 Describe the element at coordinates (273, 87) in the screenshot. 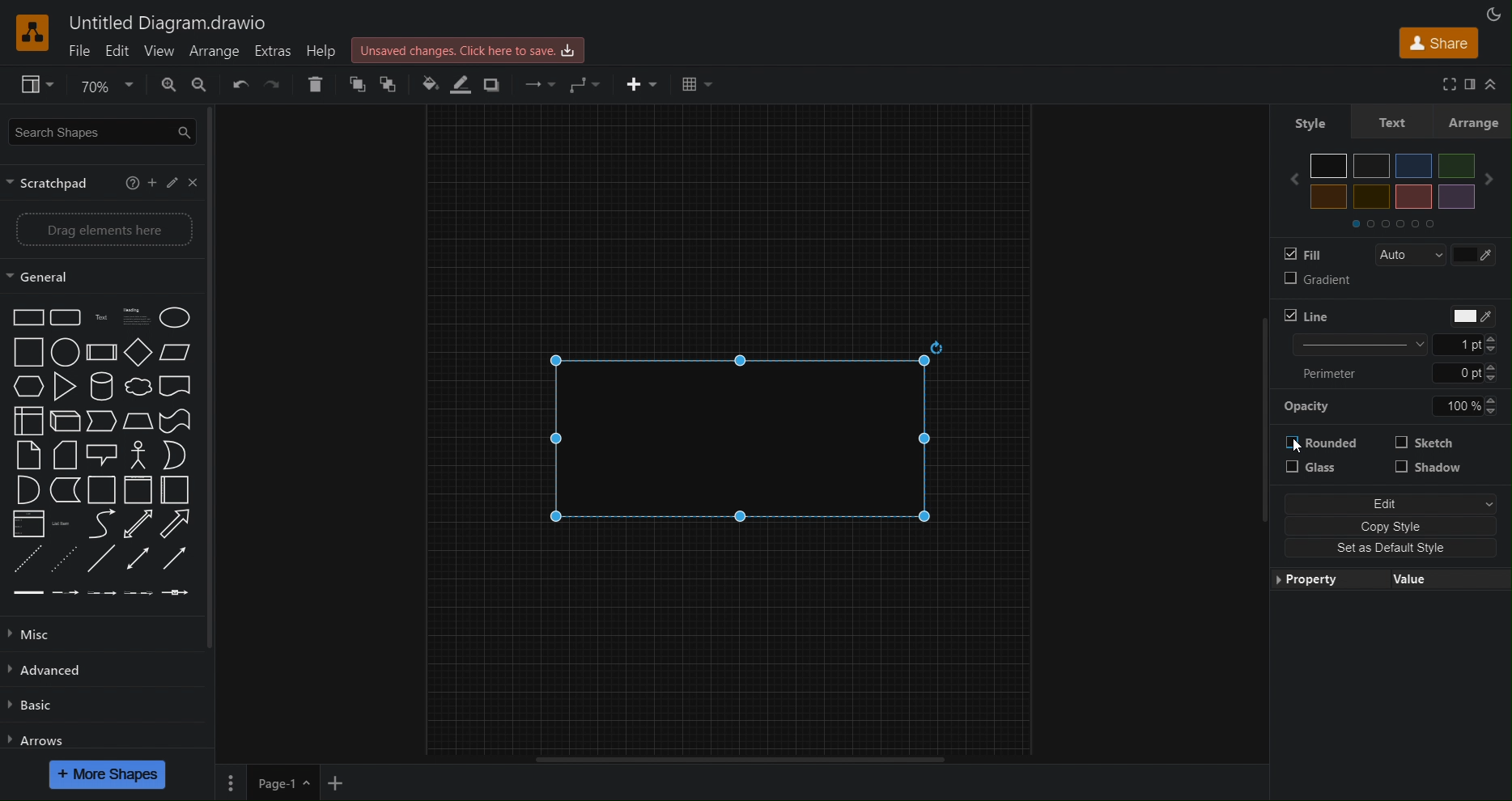

I see `Redo` at that location.